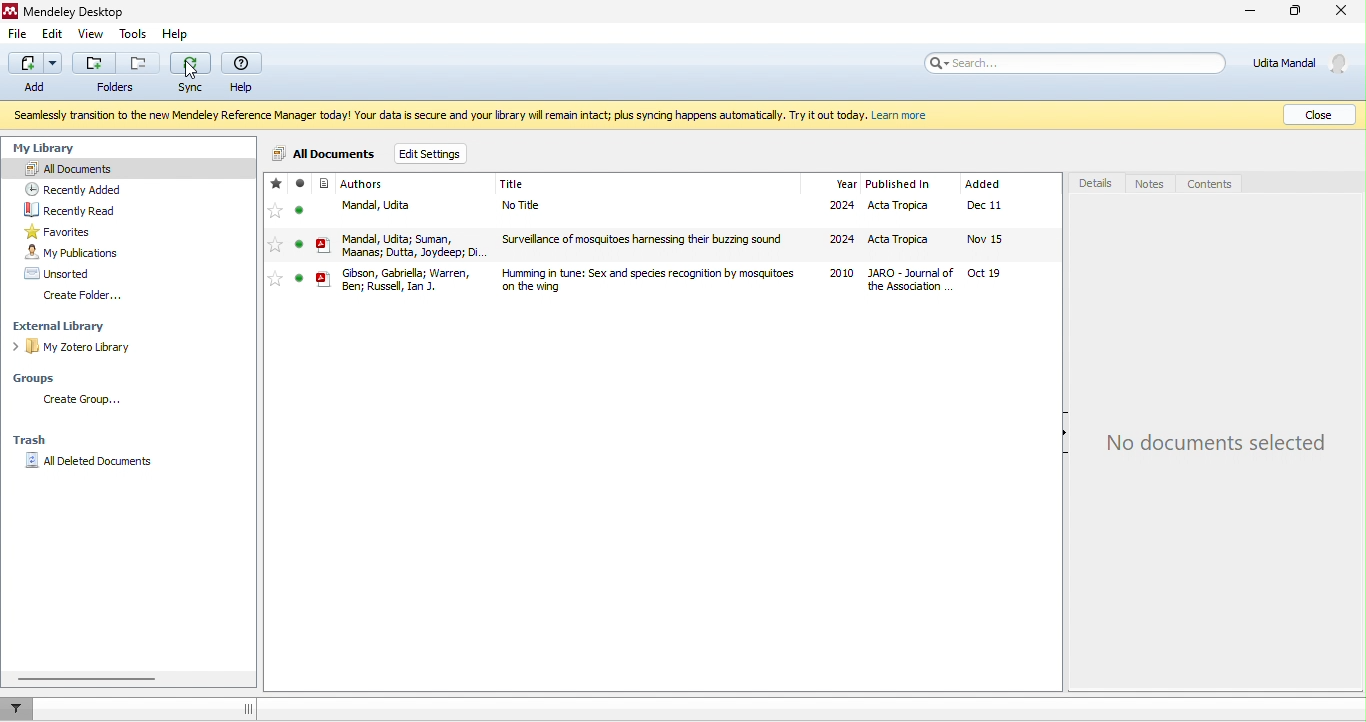  What do you see at coordinates (1213, 183) in the screenshot?
I see `contents` at bounding box center [1213, 183].